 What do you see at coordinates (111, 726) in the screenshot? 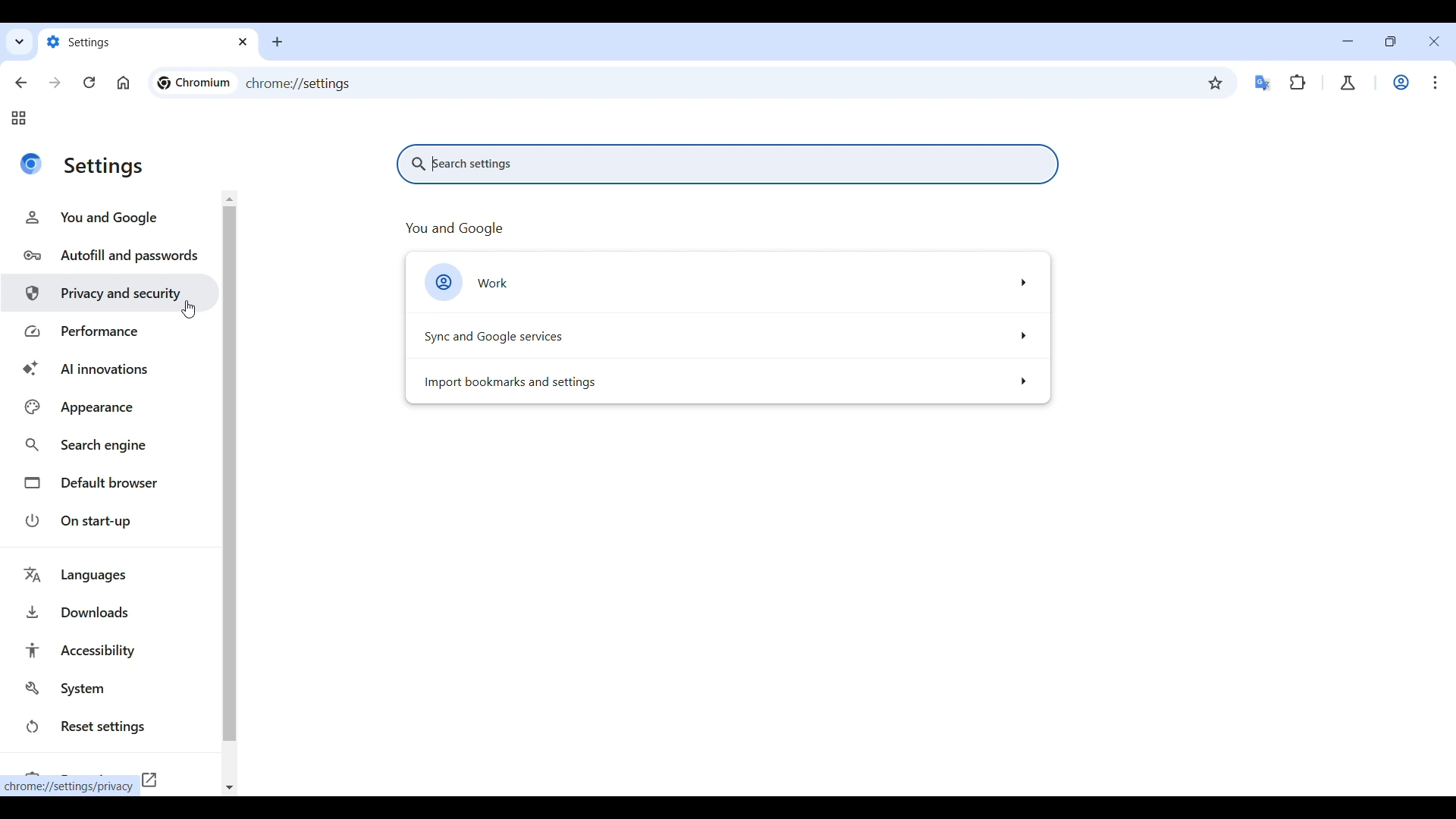
I see `Reset settings` at bounding box center [111, 726].